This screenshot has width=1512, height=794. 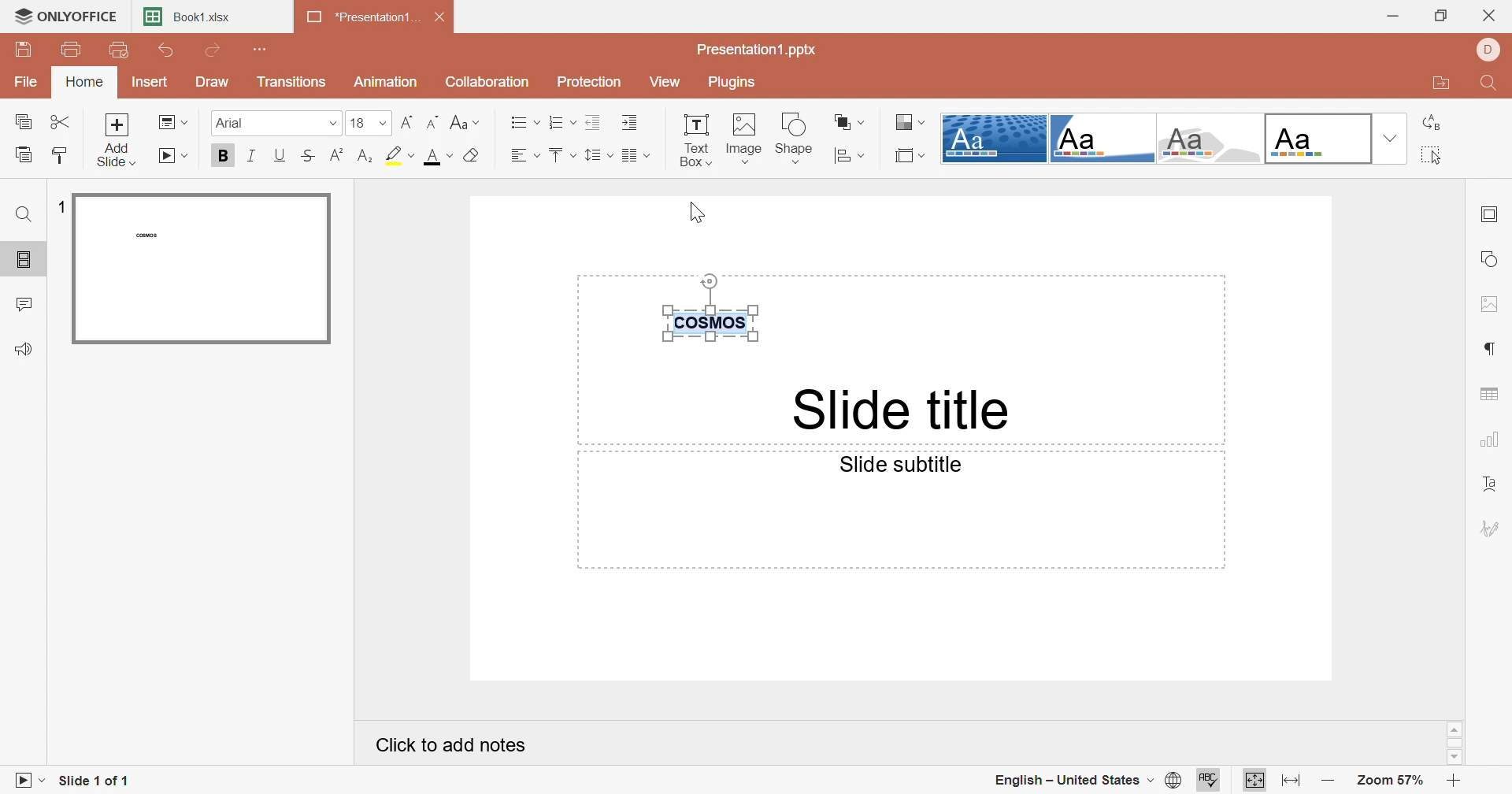 What do you see at coordinates (251, 155) in the screenshot?
I see `Italic` at bounding box center [251, 155].